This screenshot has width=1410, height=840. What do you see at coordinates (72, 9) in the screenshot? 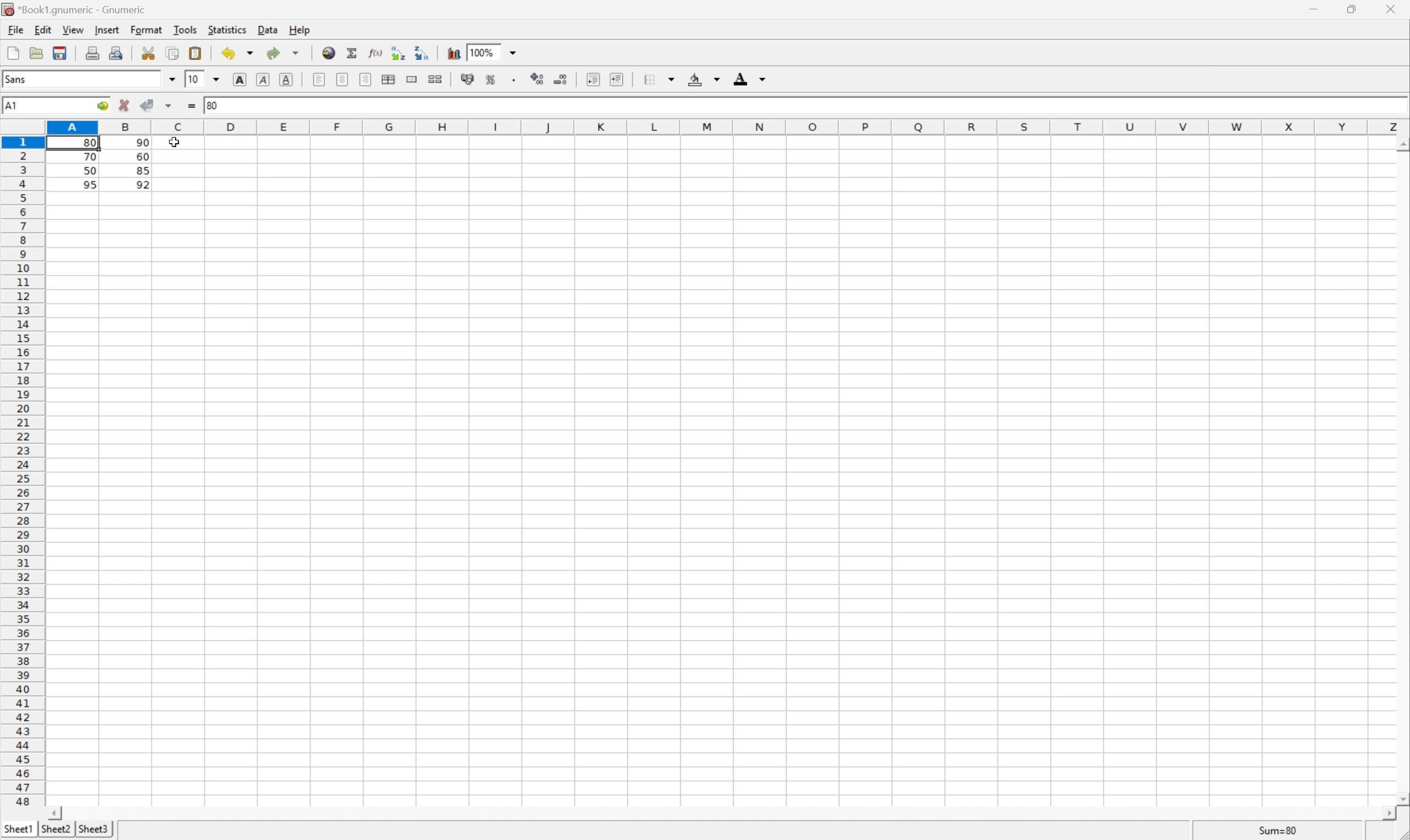
I see `*Book1.gnumeric - Gnumeric` at bounding box center [72, 9].